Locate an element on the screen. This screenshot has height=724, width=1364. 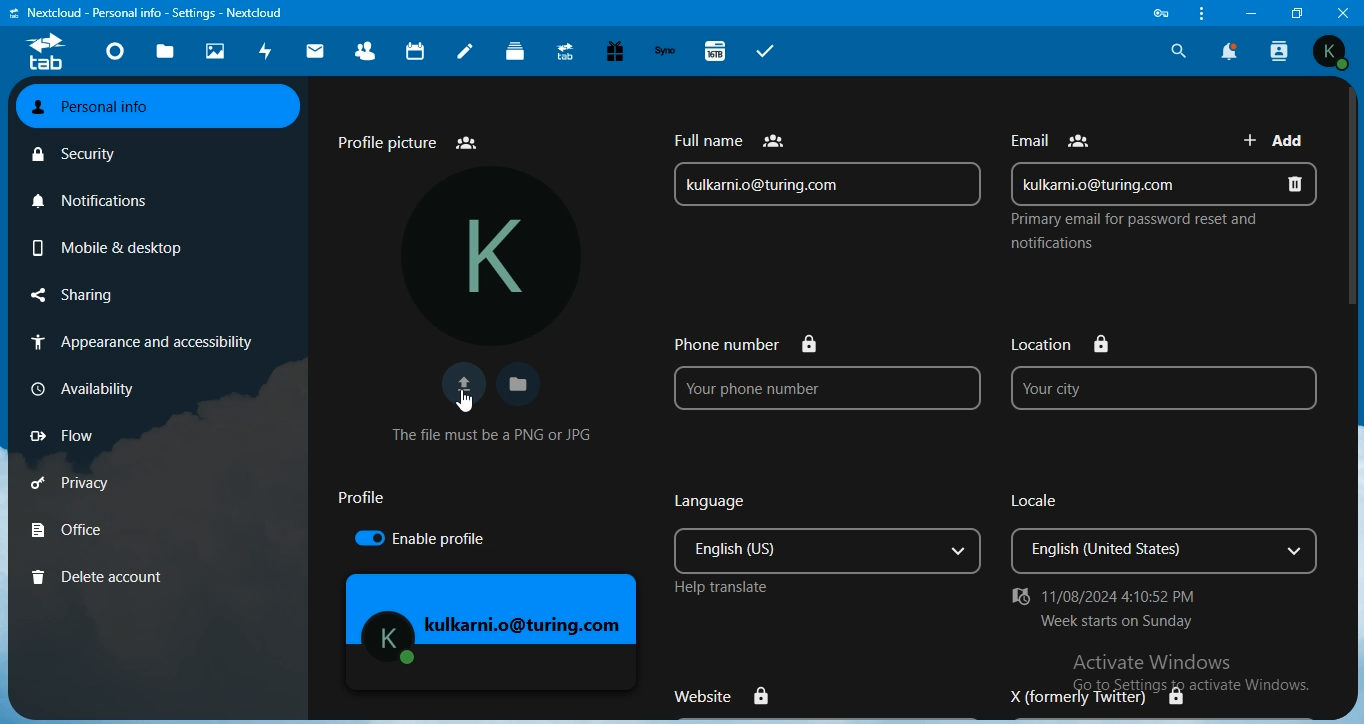
files is located at coordinates (165, 54).